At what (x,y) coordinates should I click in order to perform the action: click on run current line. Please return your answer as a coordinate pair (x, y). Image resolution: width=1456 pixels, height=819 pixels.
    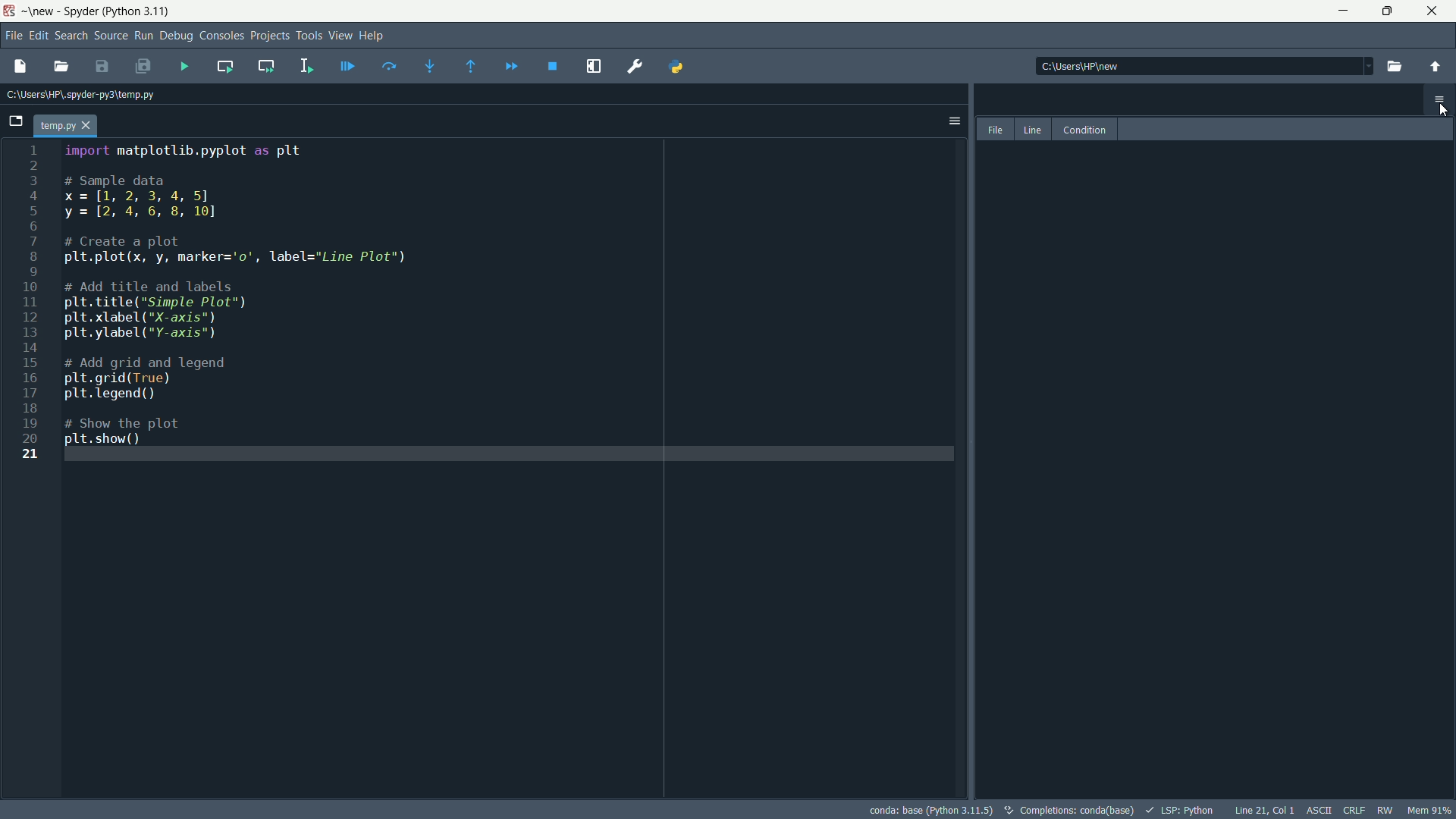
    Looking at the image, I should click on (386, 65).